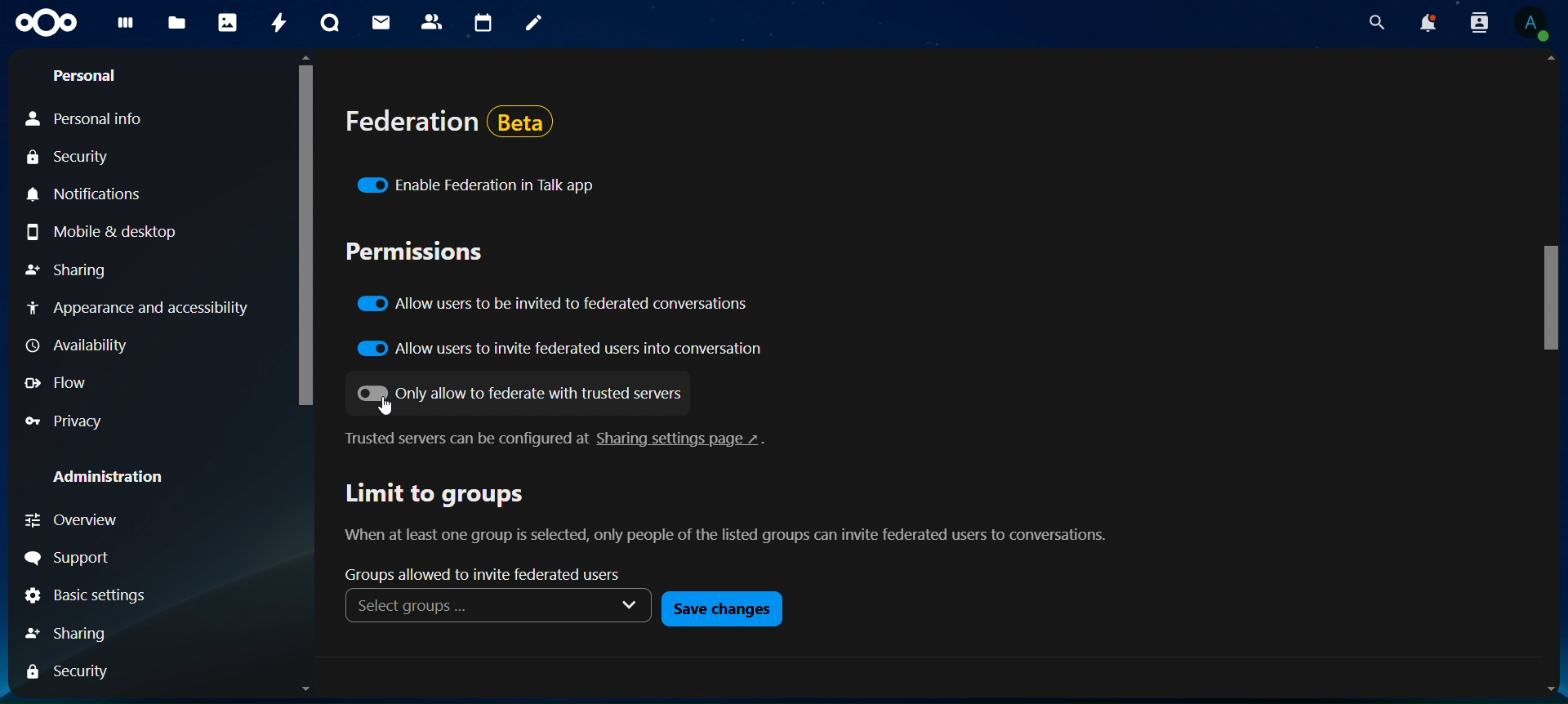 Image resolution: width=1568 pixels, height=704 pixels. What do you see at coordinates (494, 574) in the screenshot?
I see `groups allowed to invite federated users` at bounding box center [494, 574].